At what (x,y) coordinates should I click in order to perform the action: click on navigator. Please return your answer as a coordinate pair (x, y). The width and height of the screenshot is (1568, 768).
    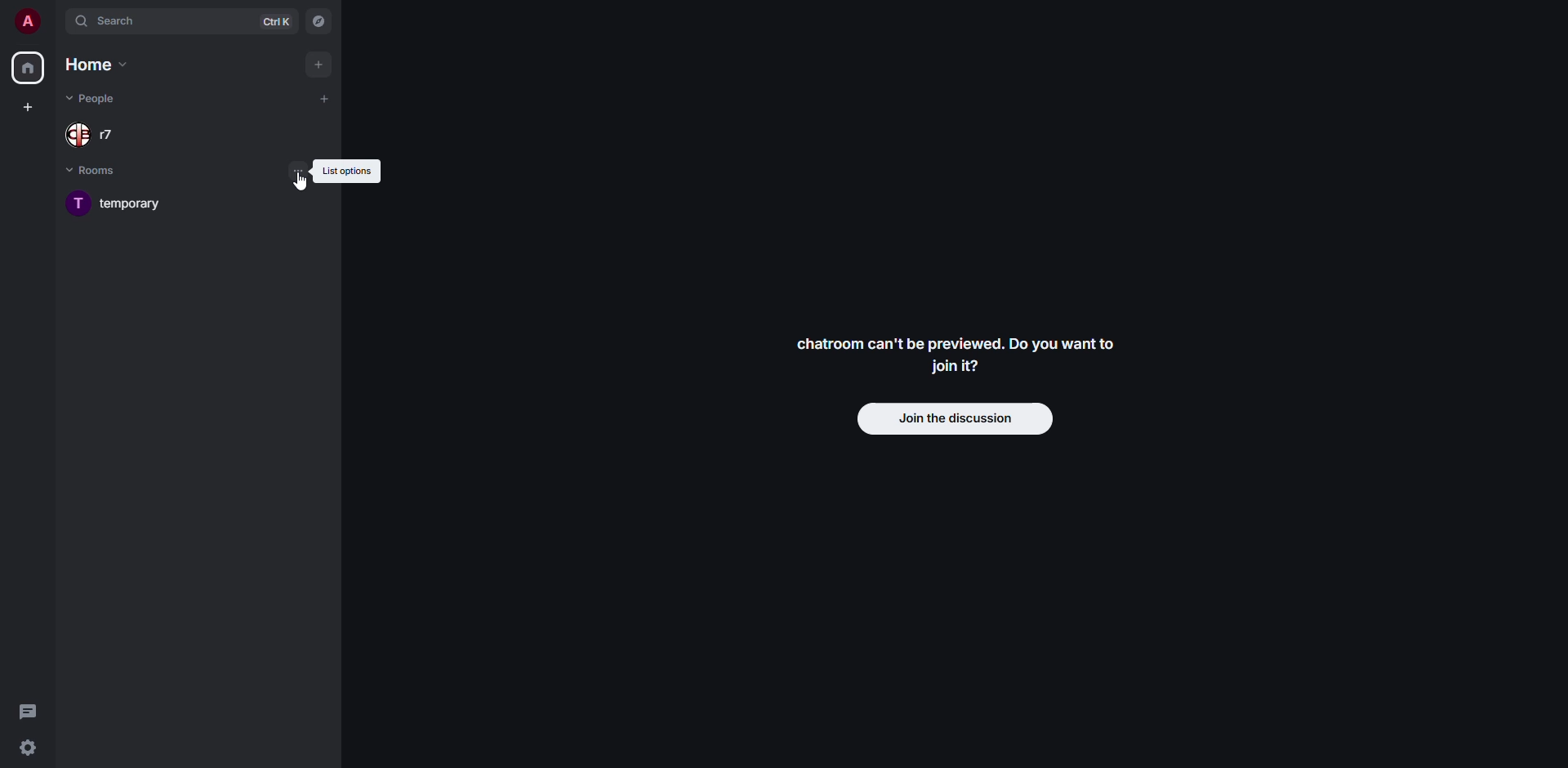
    Looking at the image, I should click on (318, 21).